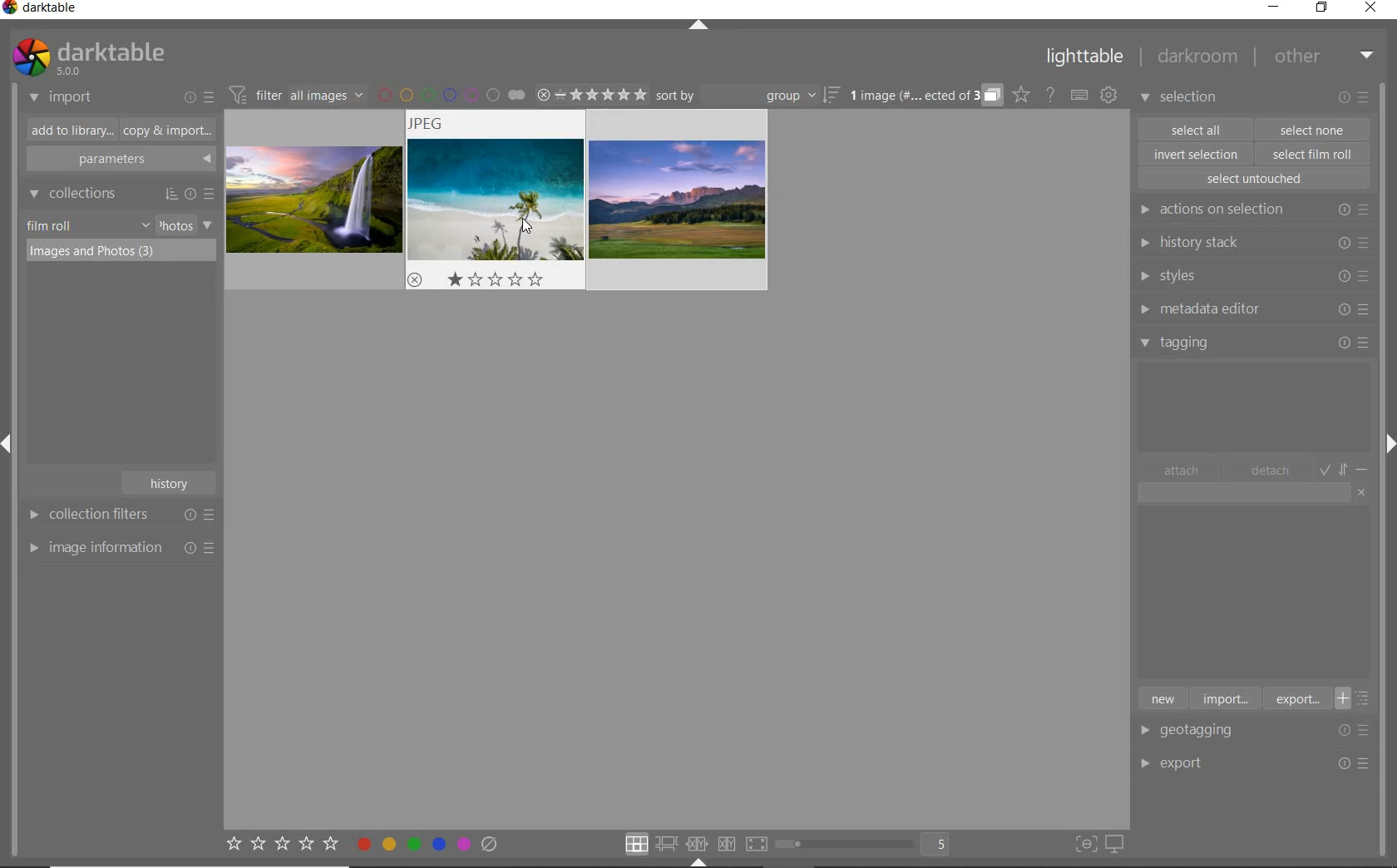 This screenshot has width=1397, height=868. What do you see at coordinates (750, 96) in the screenshot?
I see `sort` at bounding box center [750, 96].